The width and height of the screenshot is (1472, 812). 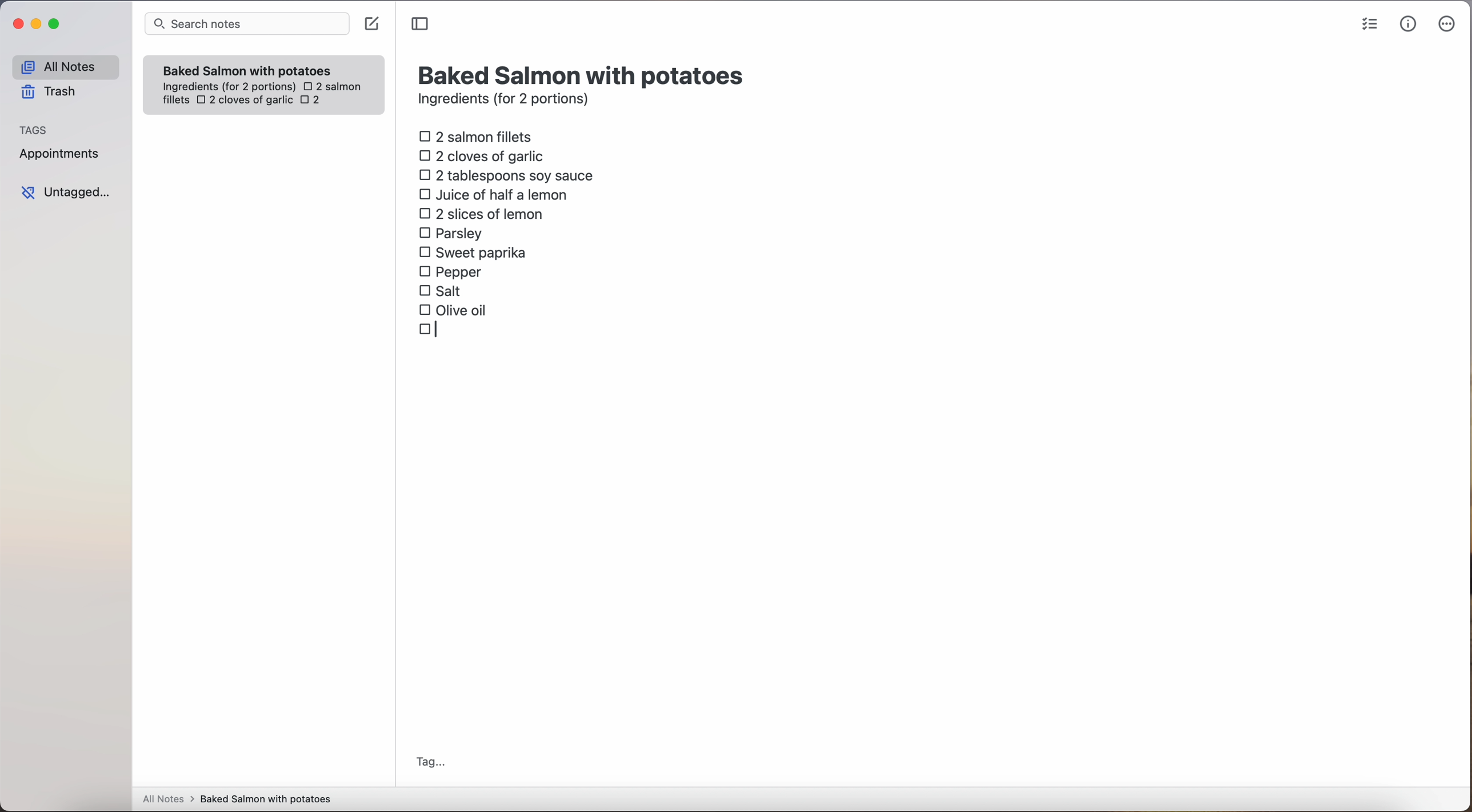 I want to click on tag, so click(x=430, y=763).